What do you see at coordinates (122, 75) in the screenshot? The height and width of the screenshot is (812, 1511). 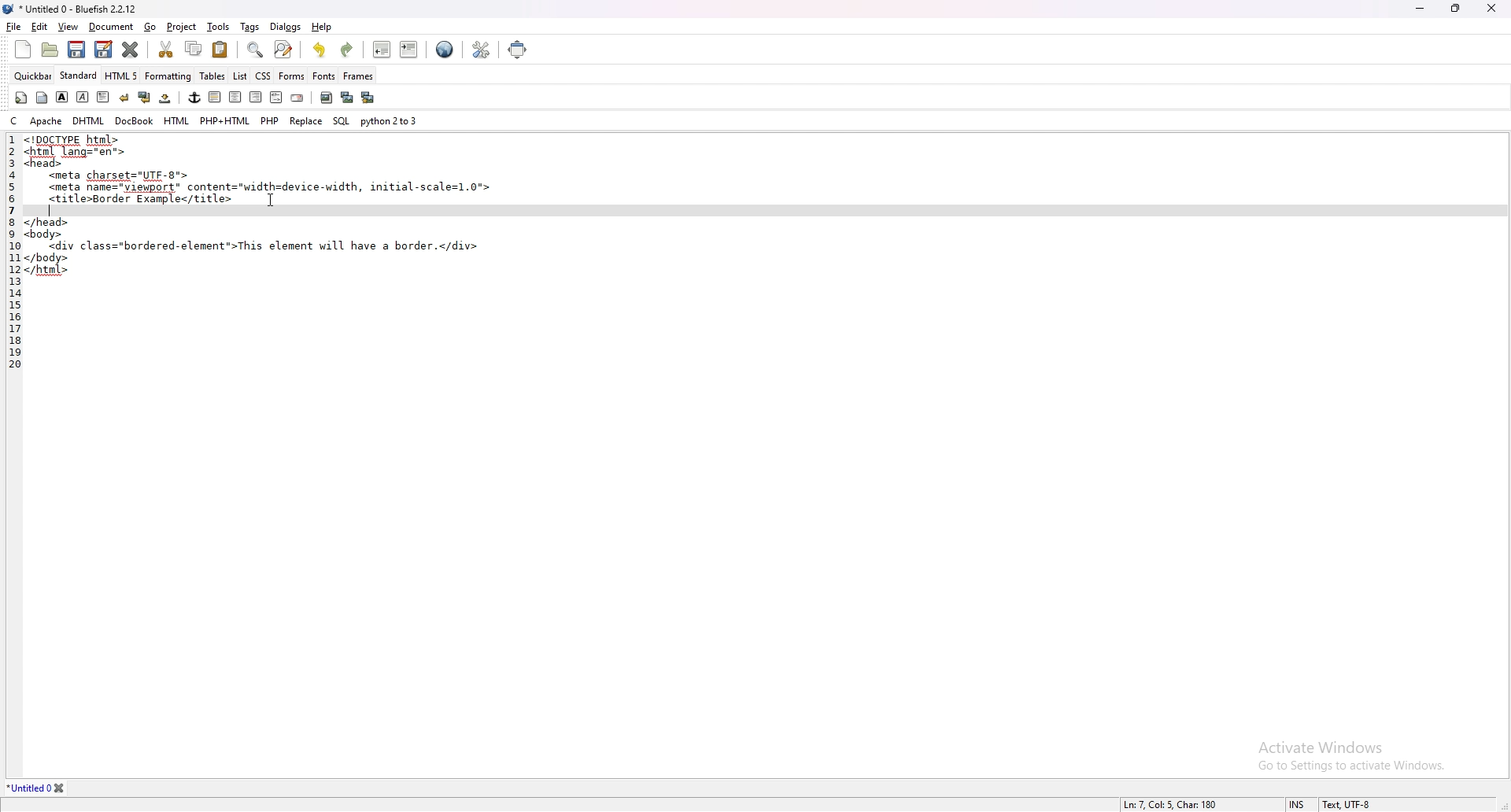 I see `html 5` at bounding box center [122, 75].